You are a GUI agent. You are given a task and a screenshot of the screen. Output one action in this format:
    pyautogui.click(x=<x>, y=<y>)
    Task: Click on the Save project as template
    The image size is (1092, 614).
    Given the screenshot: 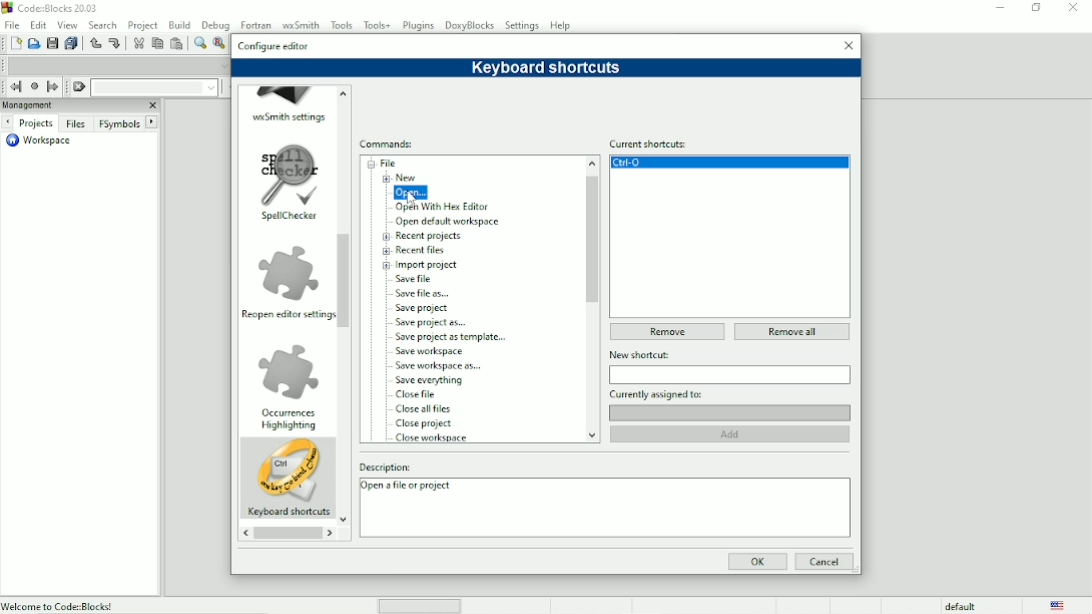 What is the action you would take?
    pyautogui.click(x=456, y=337)
    